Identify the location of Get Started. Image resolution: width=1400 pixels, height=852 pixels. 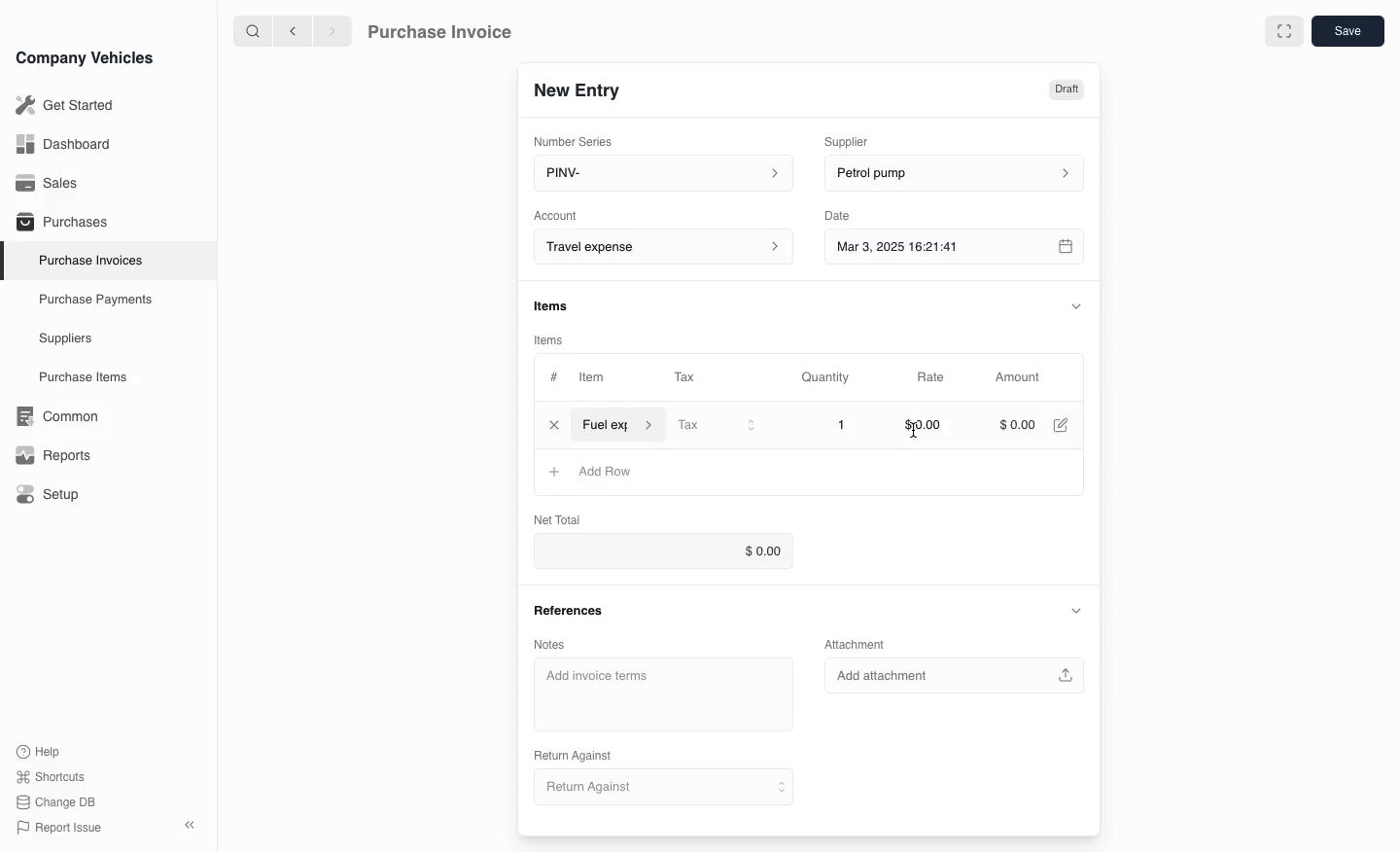
(61, 105).